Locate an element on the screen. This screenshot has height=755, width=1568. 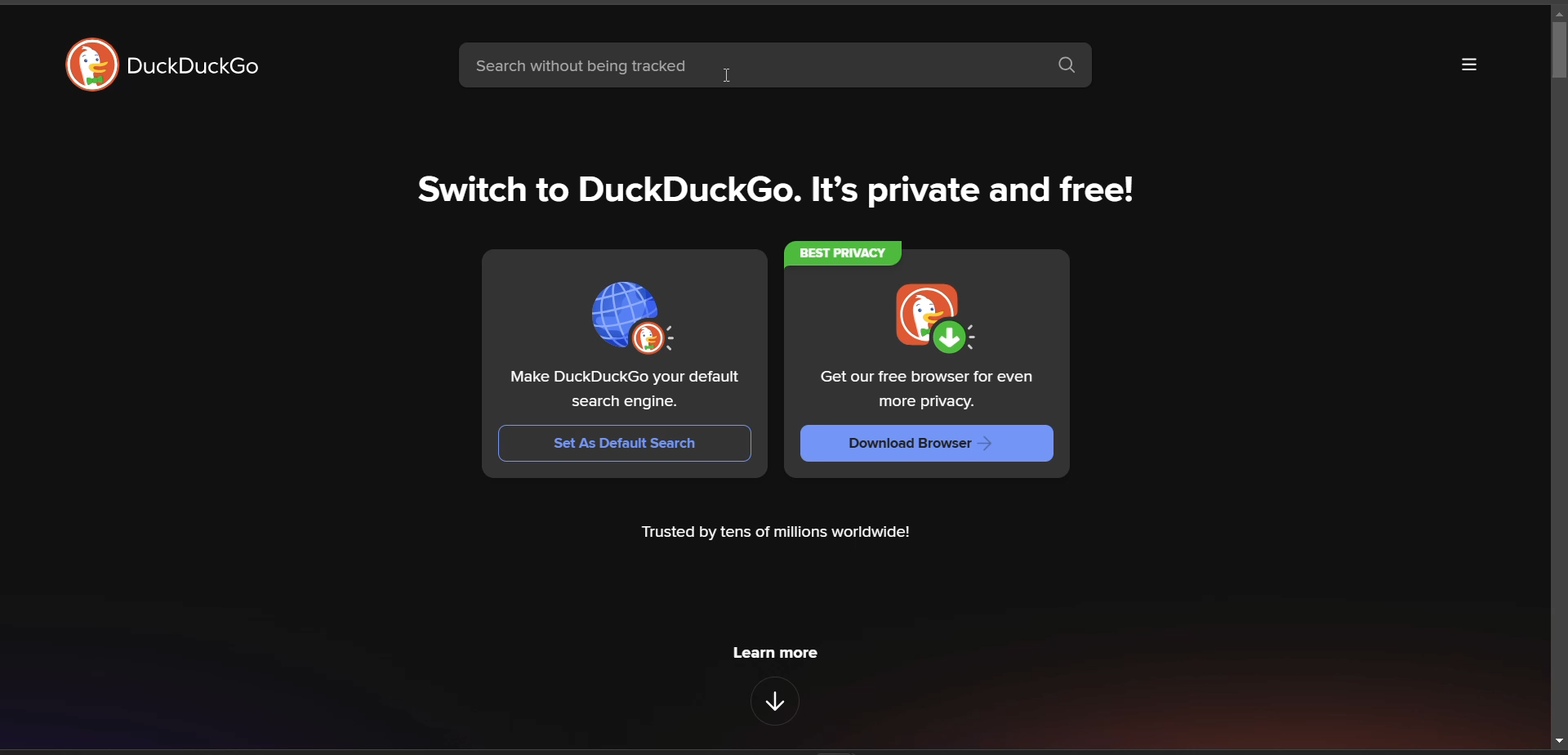
search button is located at coordinates (1067, 66).